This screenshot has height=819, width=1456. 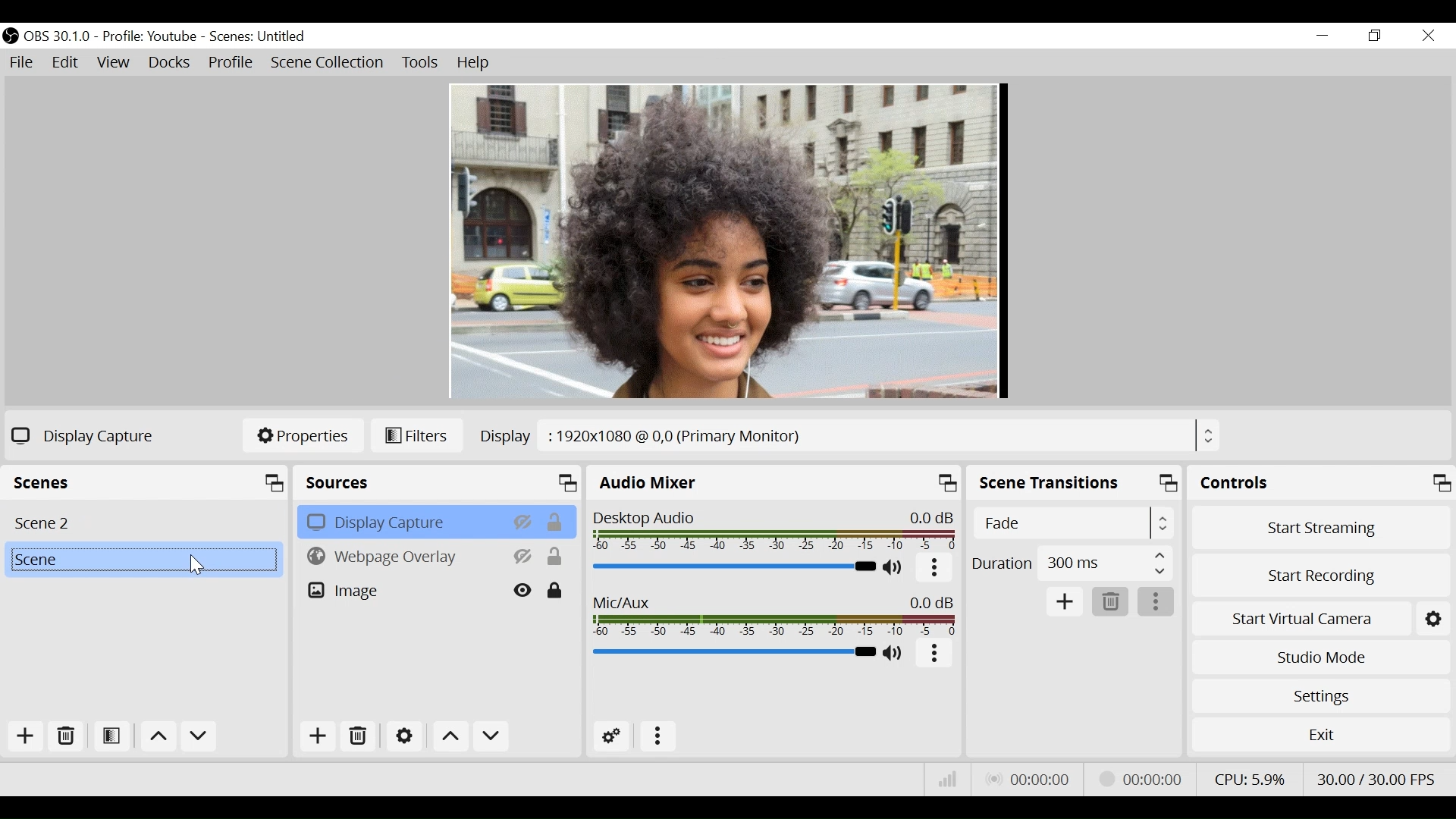 What do you see at coordinates (302, 436) in the screenshot?
I see `Properties` at bounding box center [302, 436].